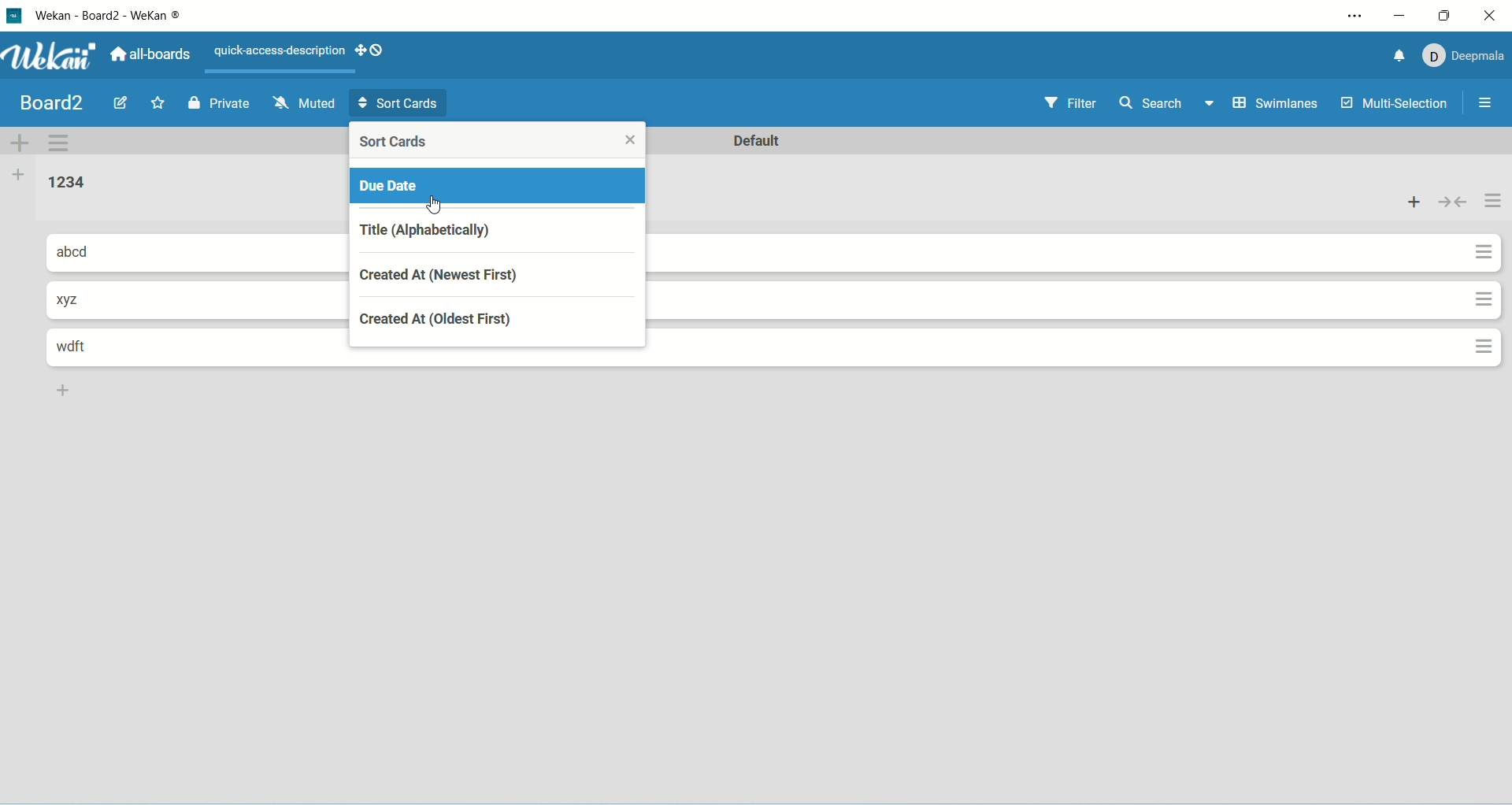 This screenshot has height=805, width=1512. I want to click on list, so click(72, 184).